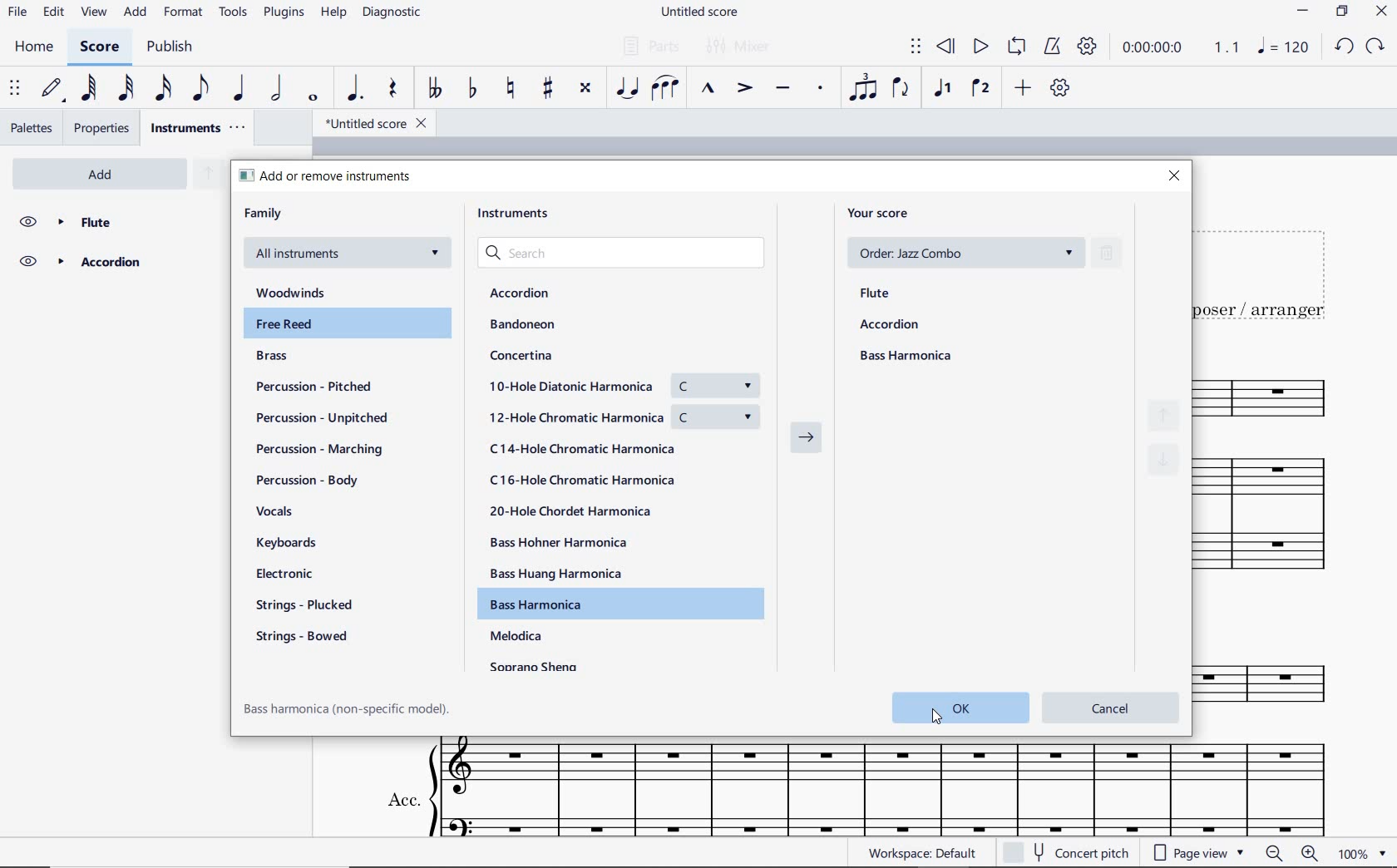 Image resolution: width=1397 pixels, height=868 pixels. Describe the element at coordinates (698, 13) in the screenshot. I see `FILE NAME` at that location.